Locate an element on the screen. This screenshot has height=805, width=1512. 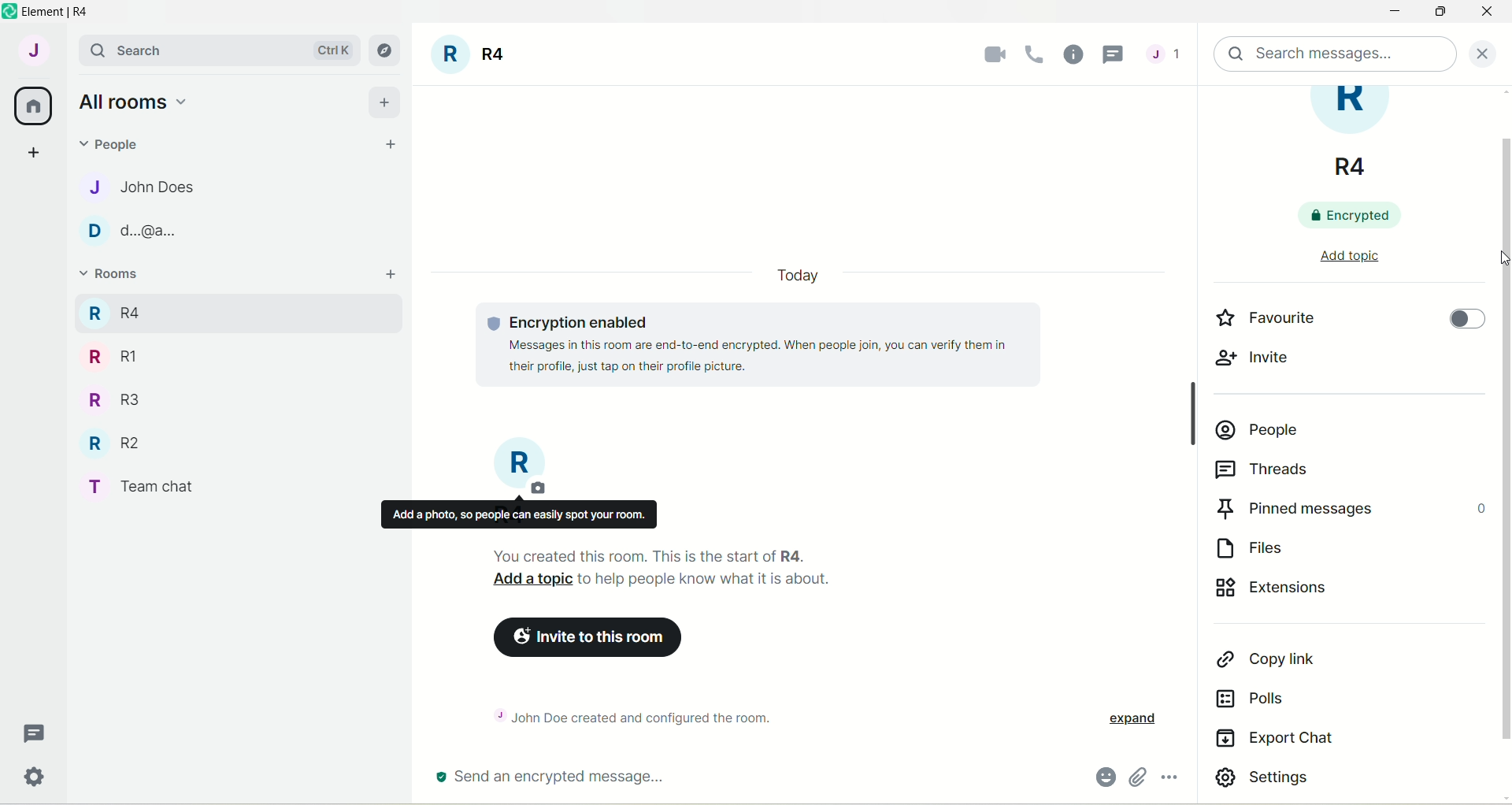
toggle button is located at coordinates (1464, 325).